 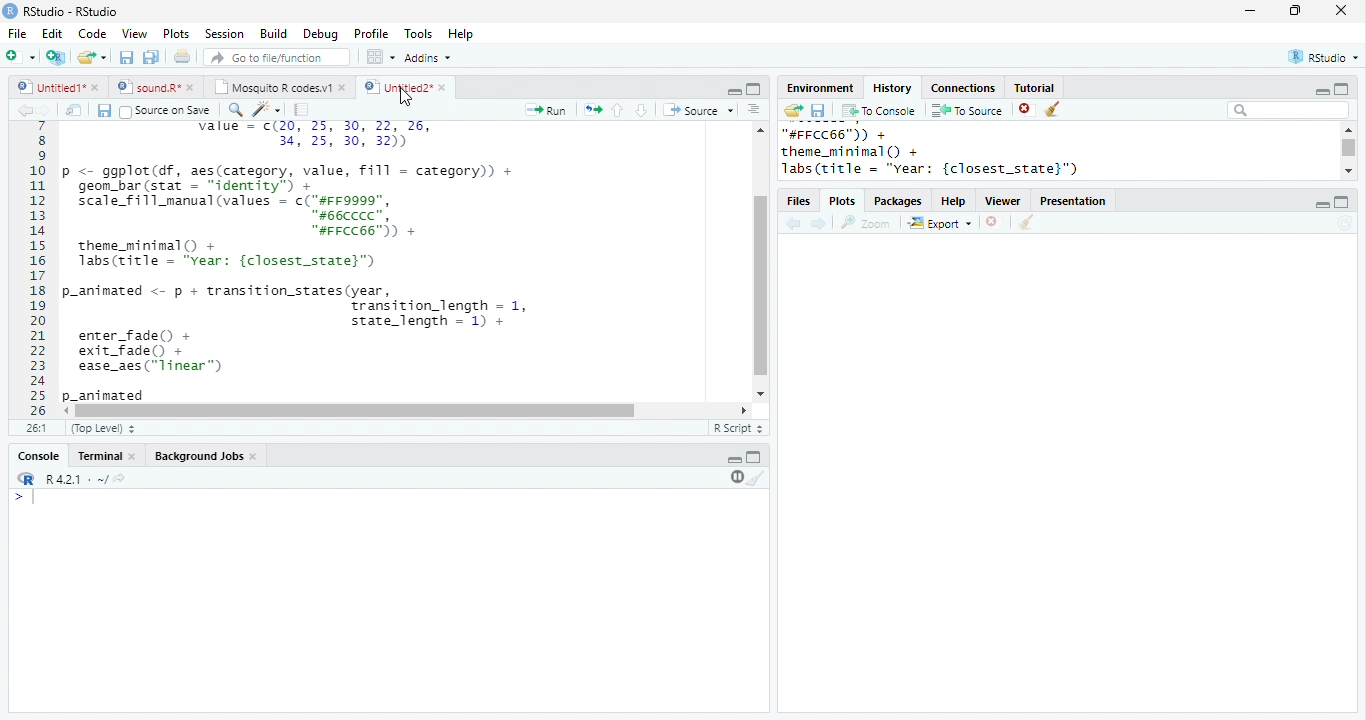 I want to click on forward, so click(x=42, y=110).